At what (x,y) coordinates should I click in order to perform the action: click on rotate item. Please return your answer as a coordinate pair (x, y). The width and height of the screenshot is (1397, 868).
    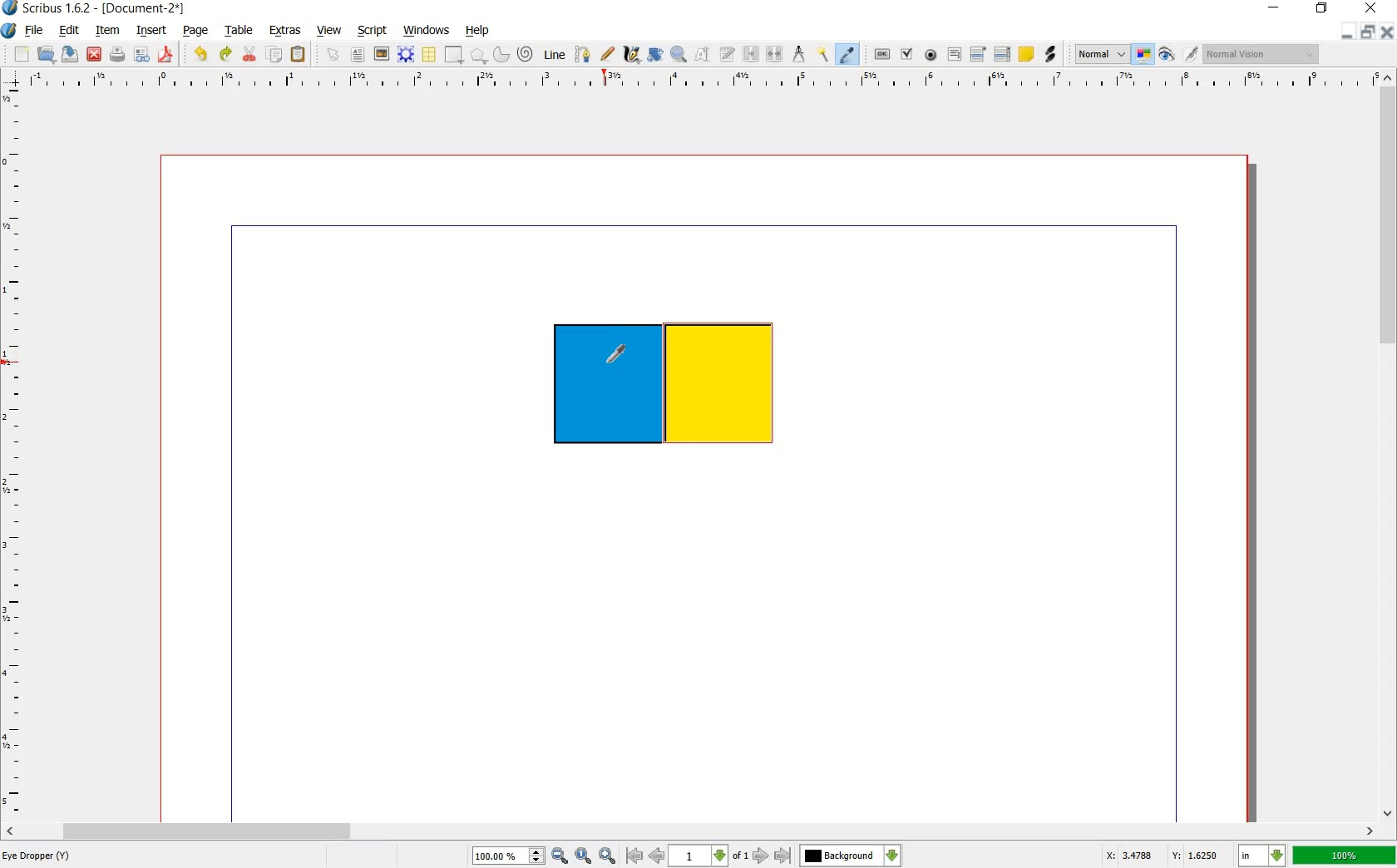
    Looking at the image, I should click on (655, 56).